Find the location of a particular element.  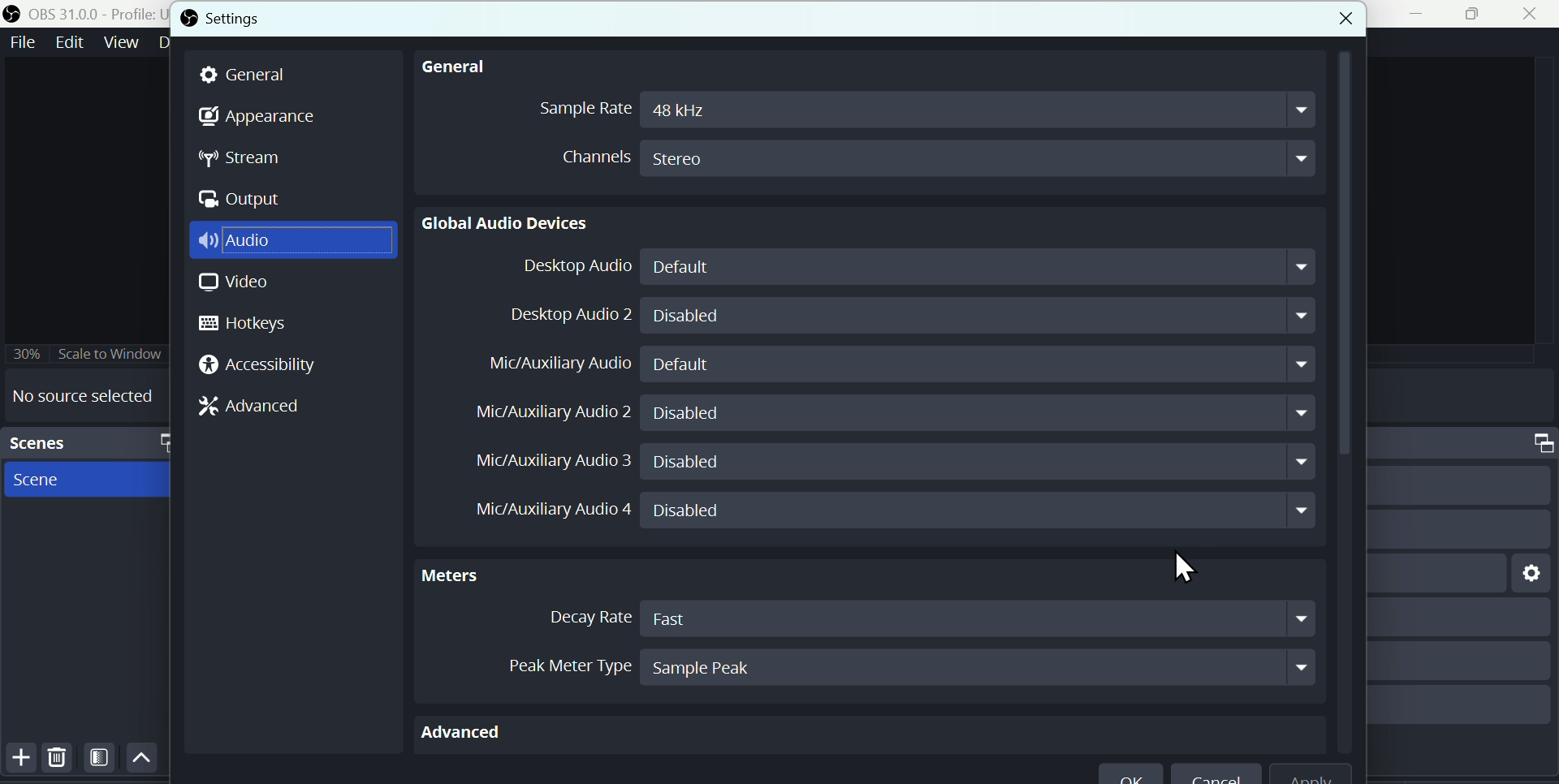

apply is located at coordinates (1315, 773).